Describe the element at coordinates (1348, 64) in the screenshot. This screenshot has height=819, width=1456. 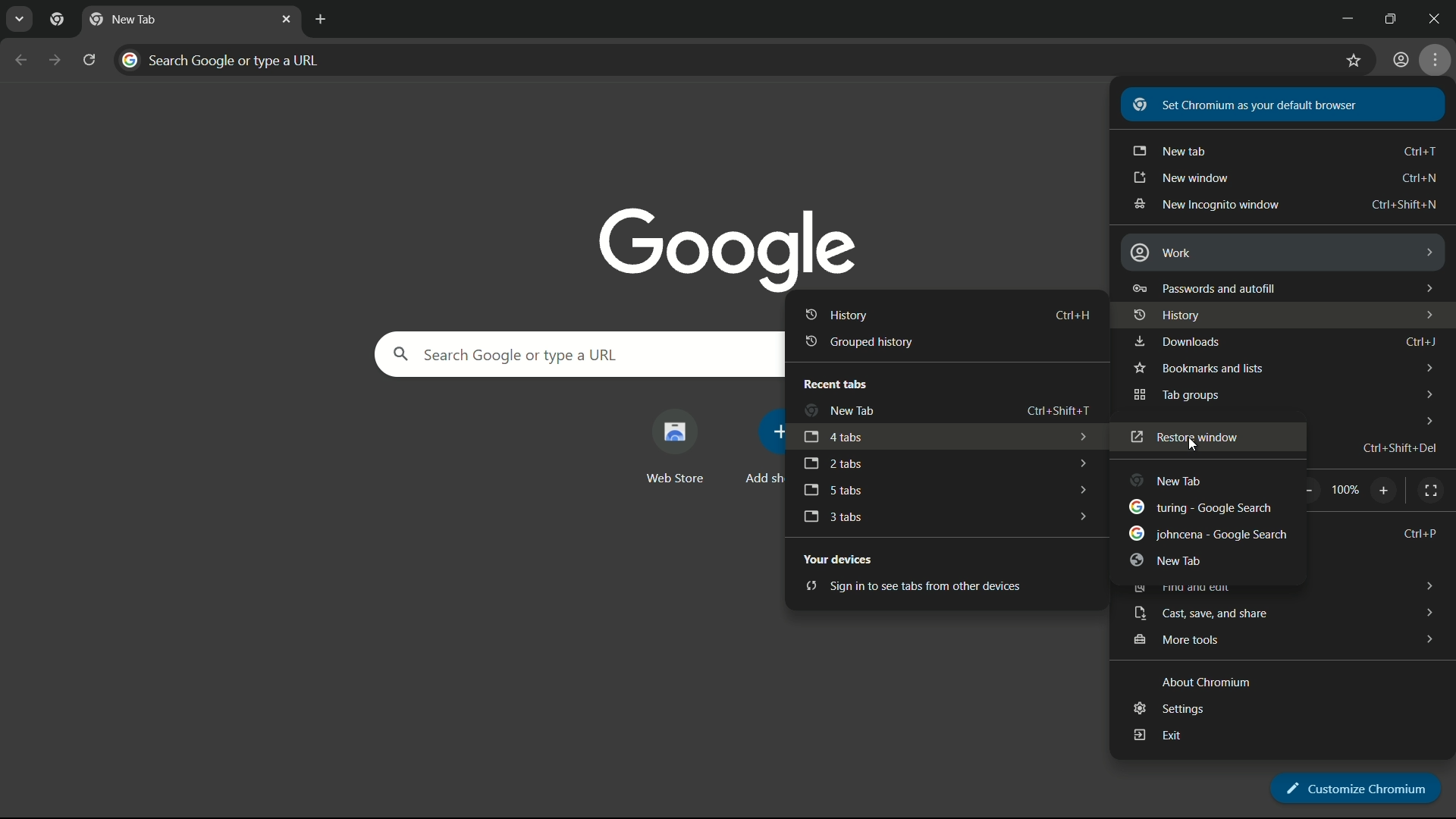
I see `bookmark ` at that location.